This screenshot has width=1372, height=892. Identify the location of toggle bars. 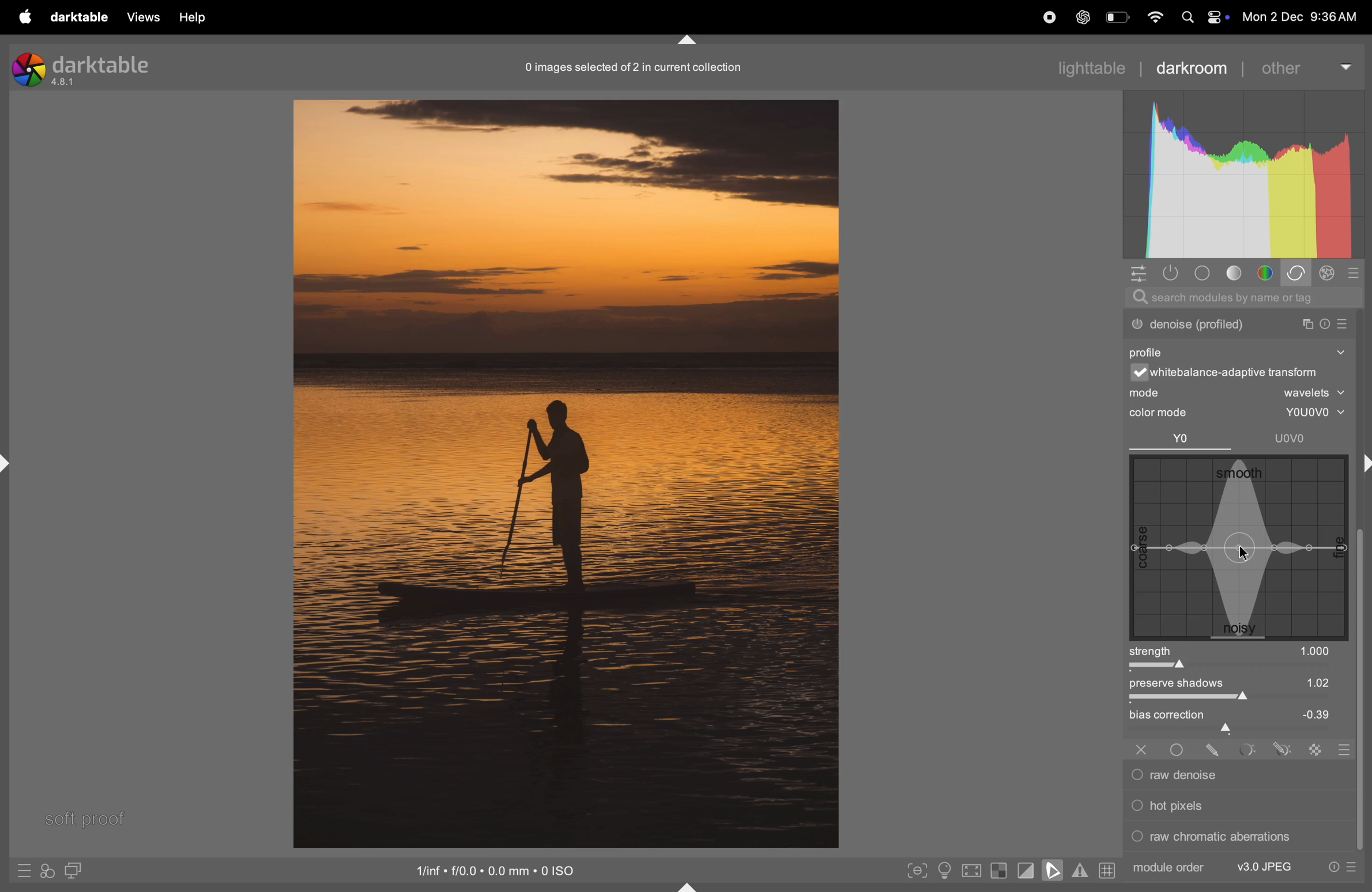
(1239, 700).